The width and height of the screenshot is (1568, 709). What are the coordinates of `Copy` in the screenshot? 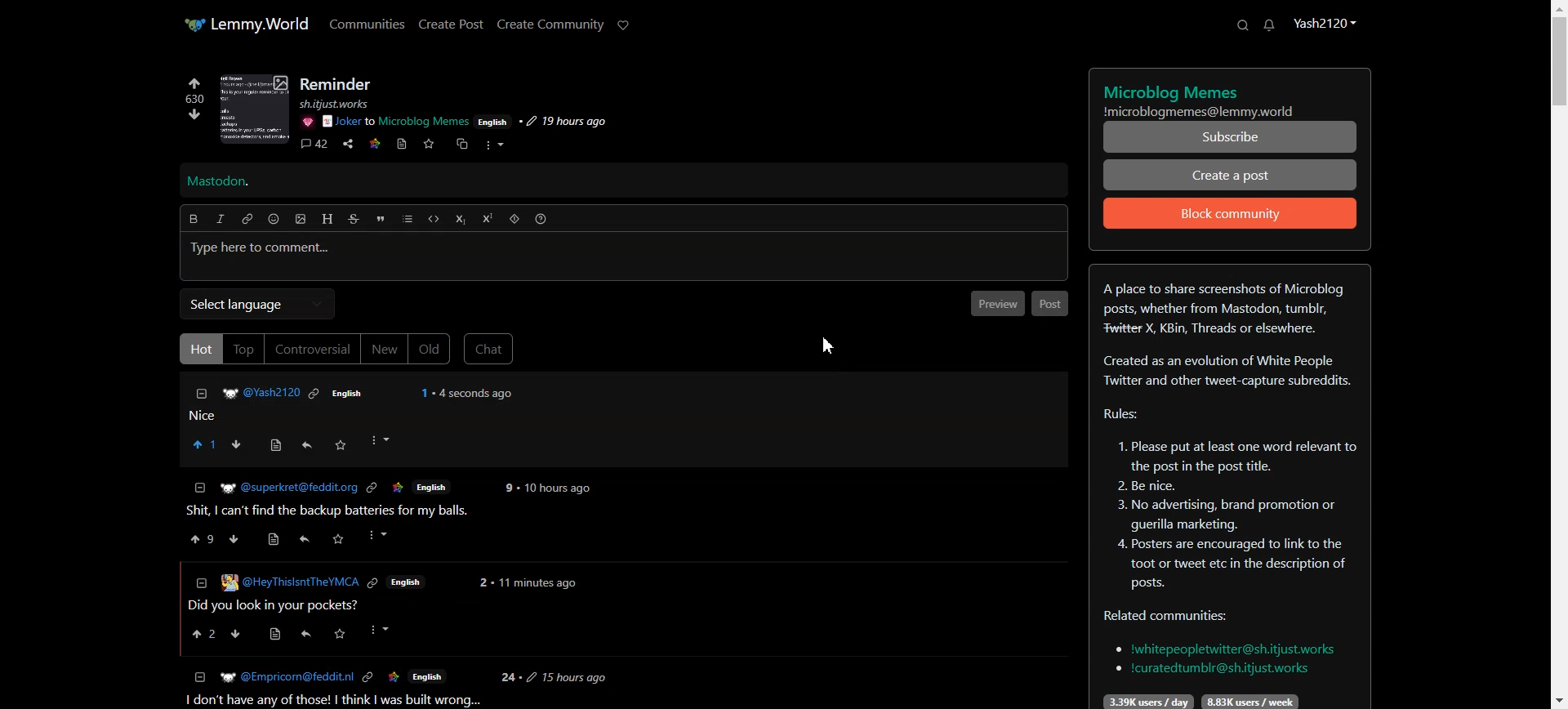 It's located at (460, 145).